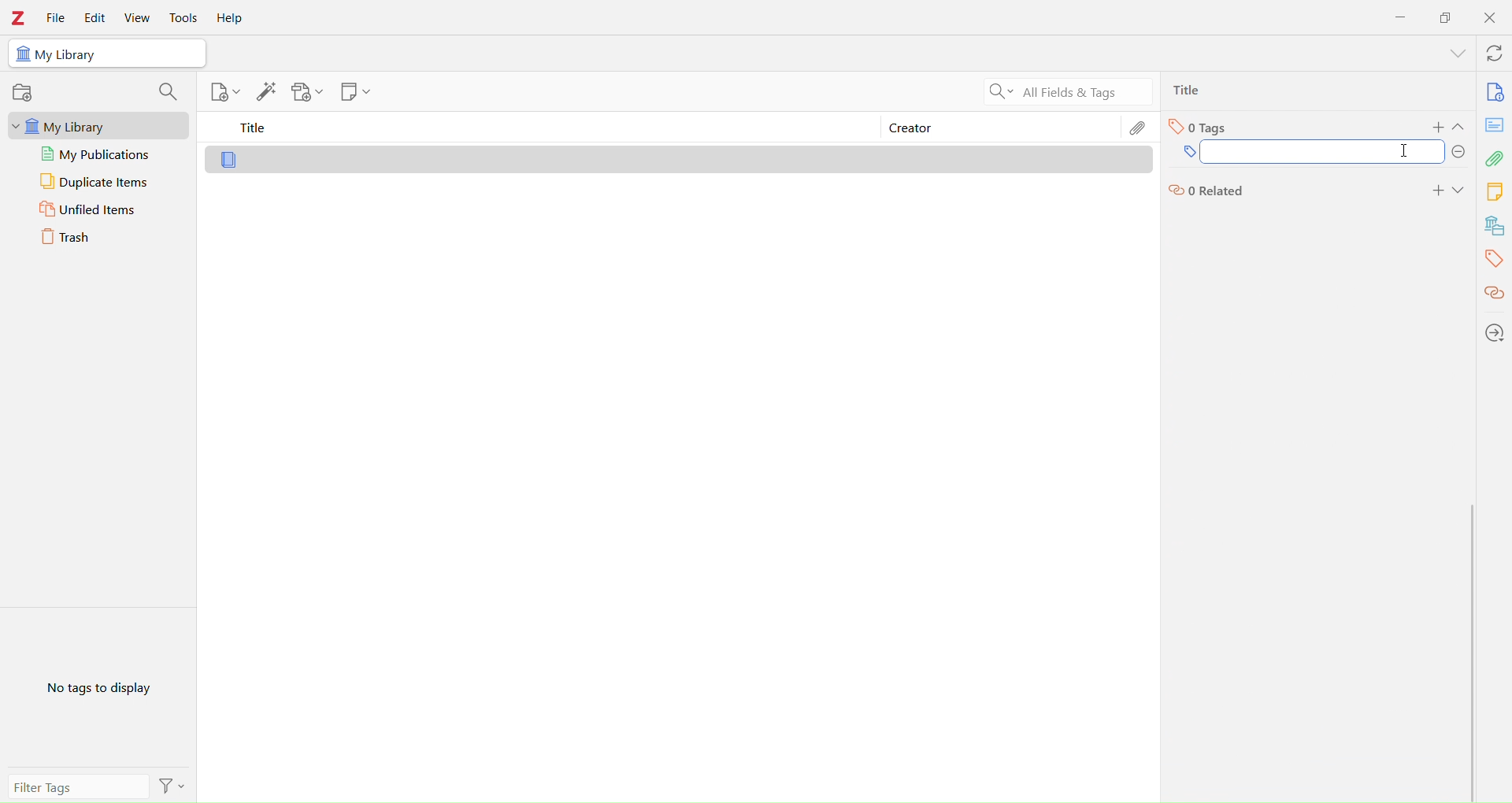 Image resolution: width=1512 pixels, height=803 pixels. Describe the element at coordinates (140, 18) in the screenshot. I see `View` at that location.